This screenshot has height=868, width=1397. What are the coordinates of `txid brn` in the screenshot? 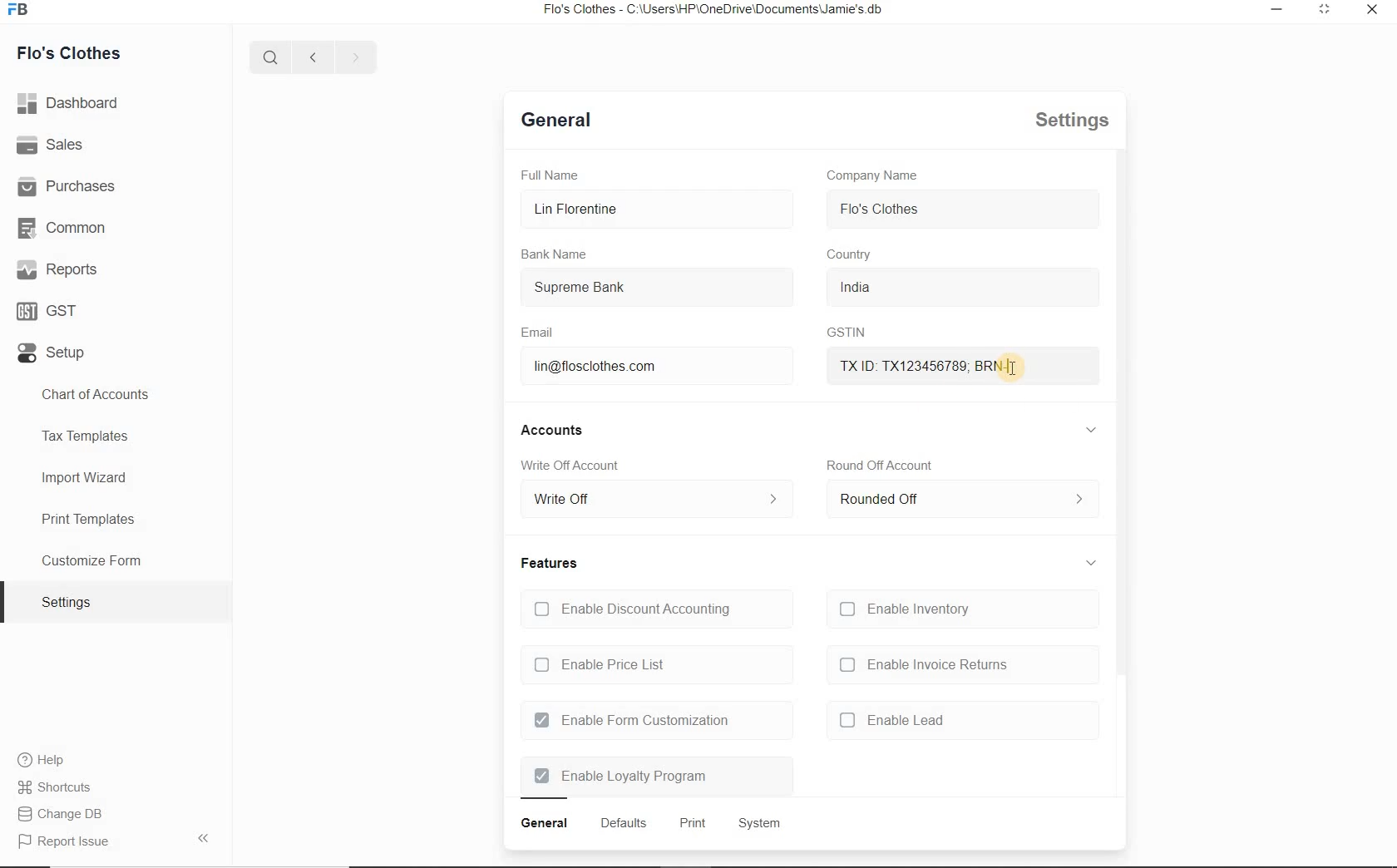 It's located at (949, 364).